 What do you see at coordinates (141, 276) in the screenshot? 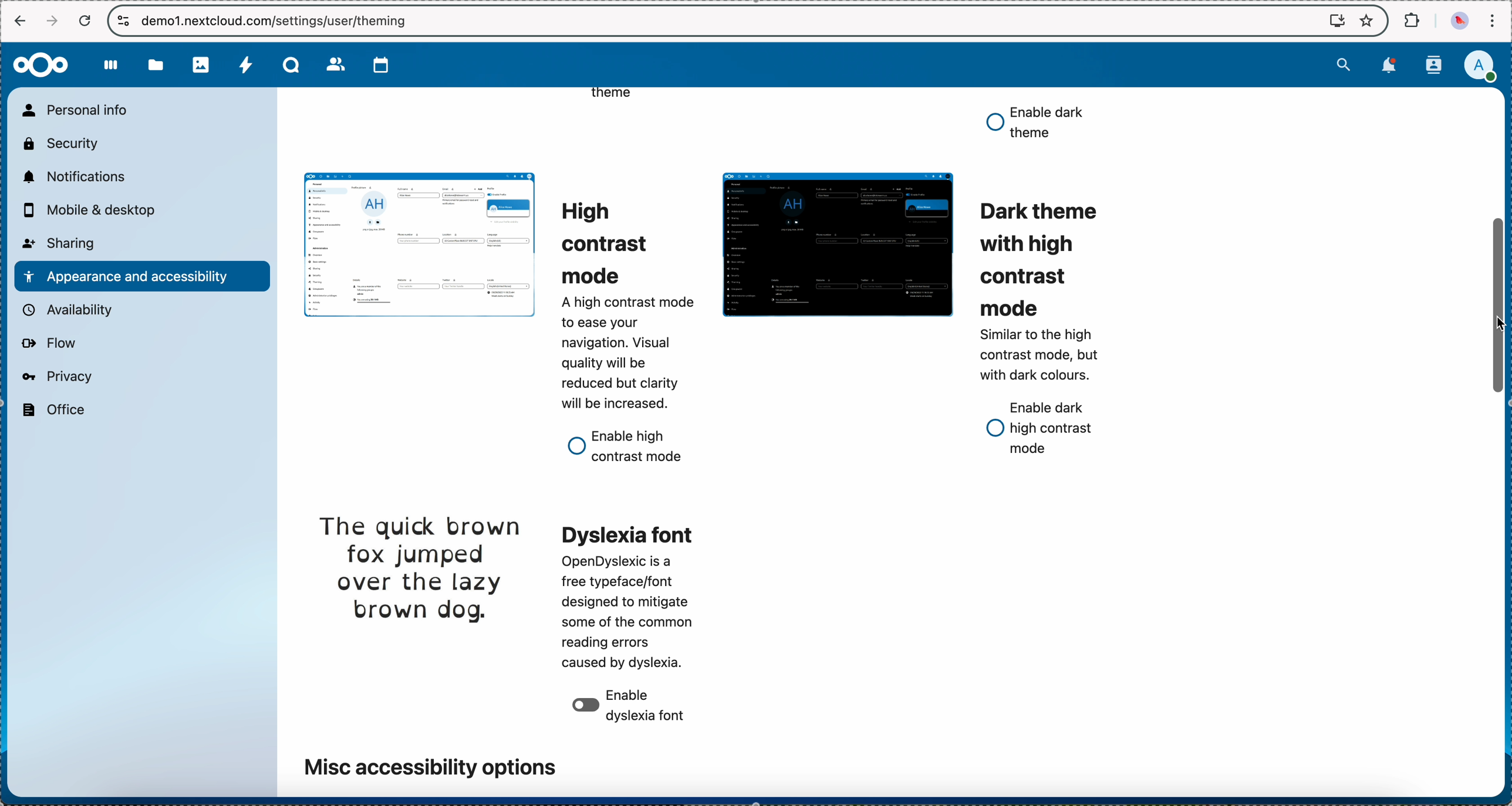
I see `appearance and accessibility` at bounding box center [141, 276].